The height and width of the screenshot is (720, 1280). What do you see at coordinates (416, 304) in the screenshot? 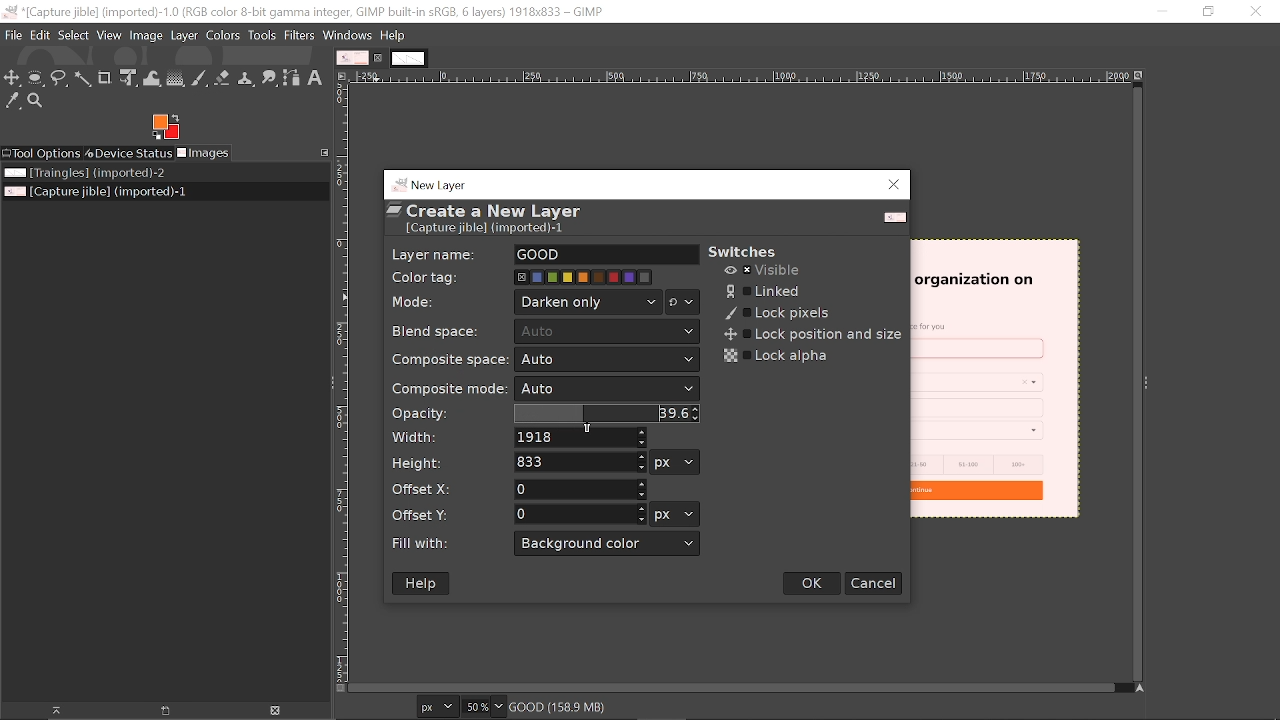
I see `Mode:` at bounding box center [416, 304].